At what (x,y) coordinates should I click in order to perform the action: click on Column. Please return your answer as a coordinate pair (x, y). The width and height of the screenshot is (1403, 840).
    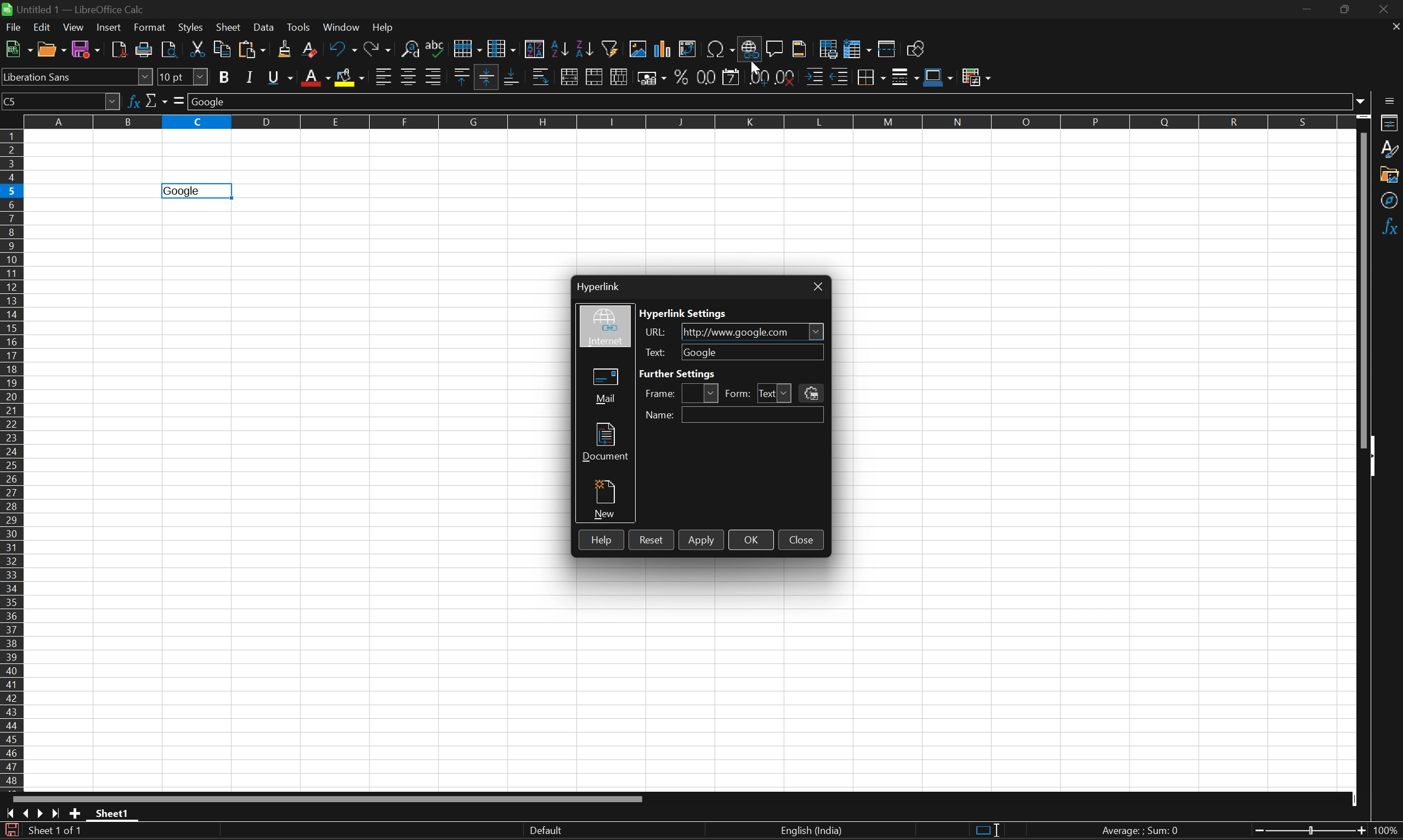
    Looking at the image, I should click on (503, 46).